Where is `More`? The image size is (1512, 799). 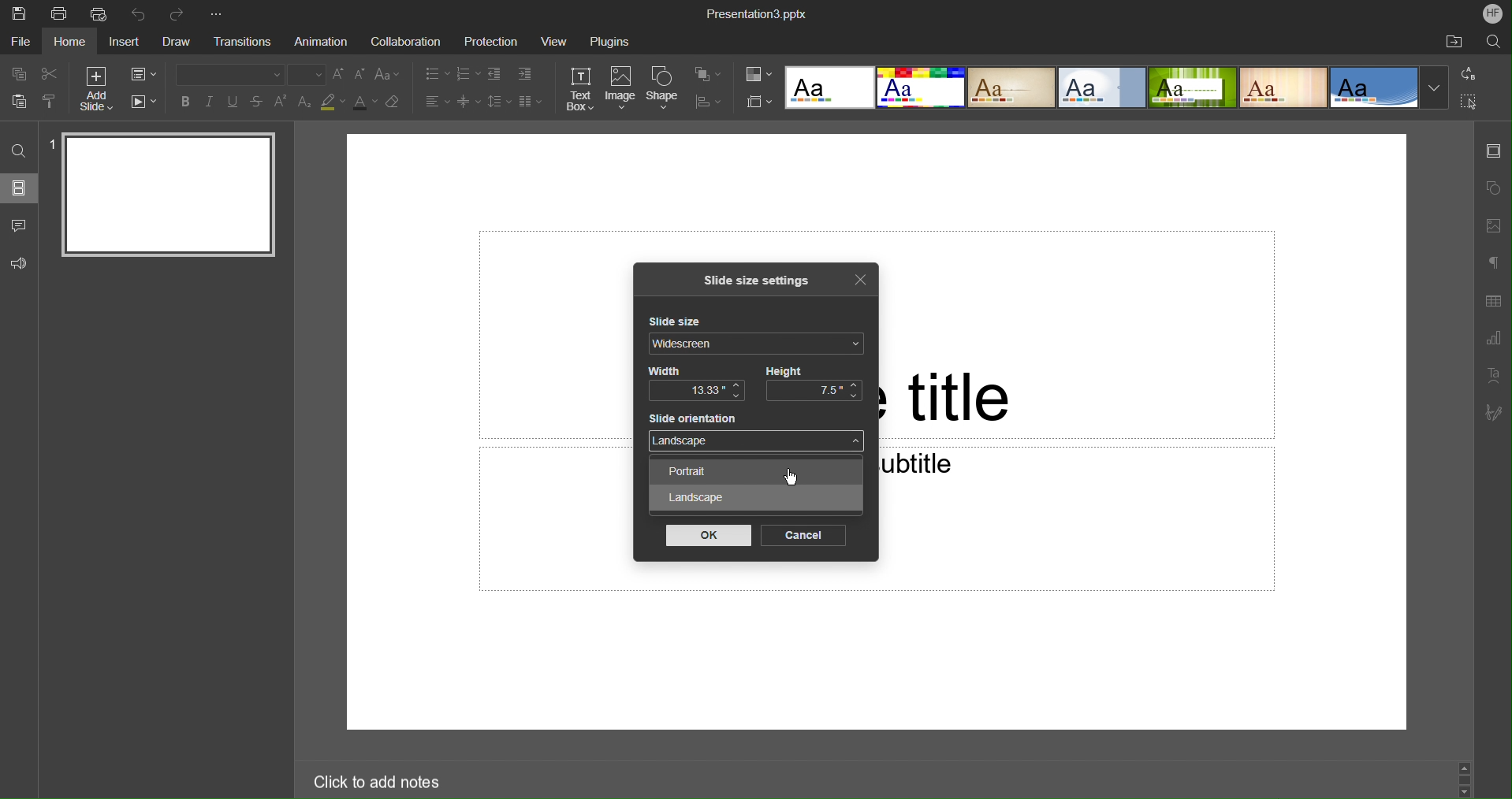 More is located at coordinates (220, 11).